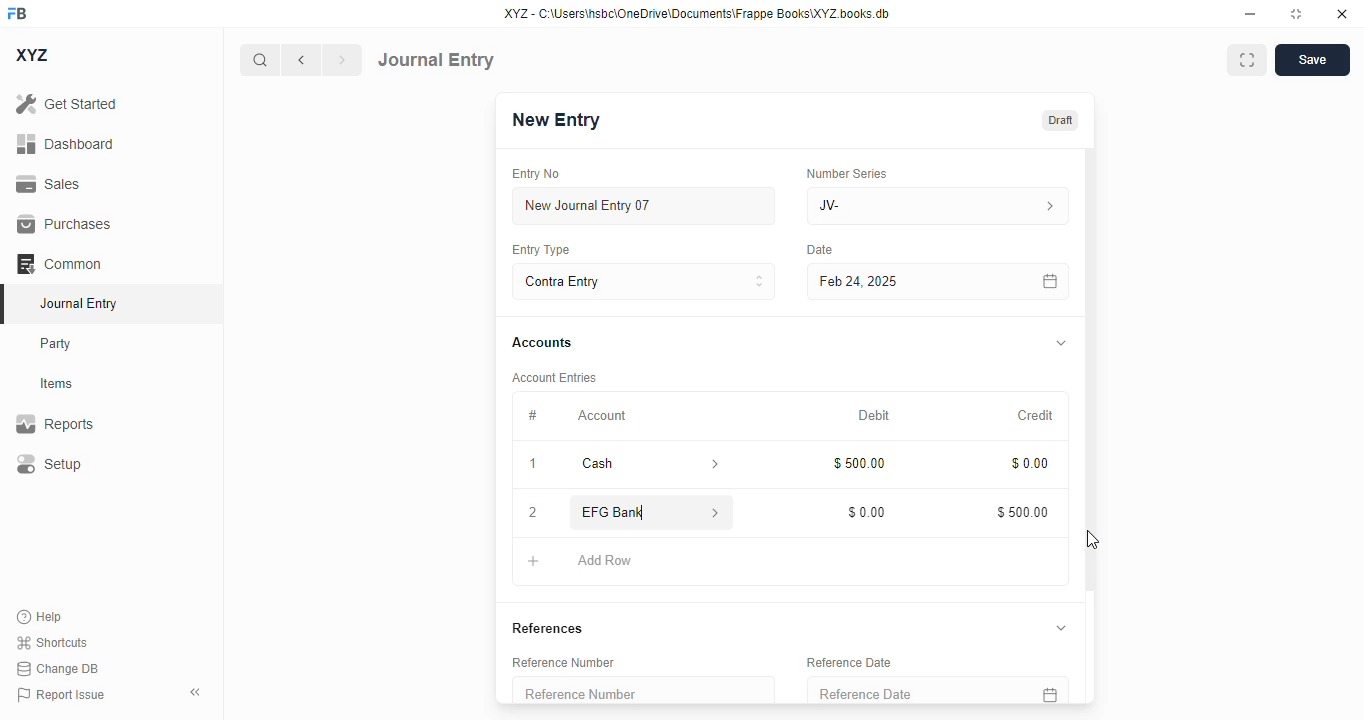  Describe the element at coordinates (55, 423) in the screenshot. I see `reports` at that location.